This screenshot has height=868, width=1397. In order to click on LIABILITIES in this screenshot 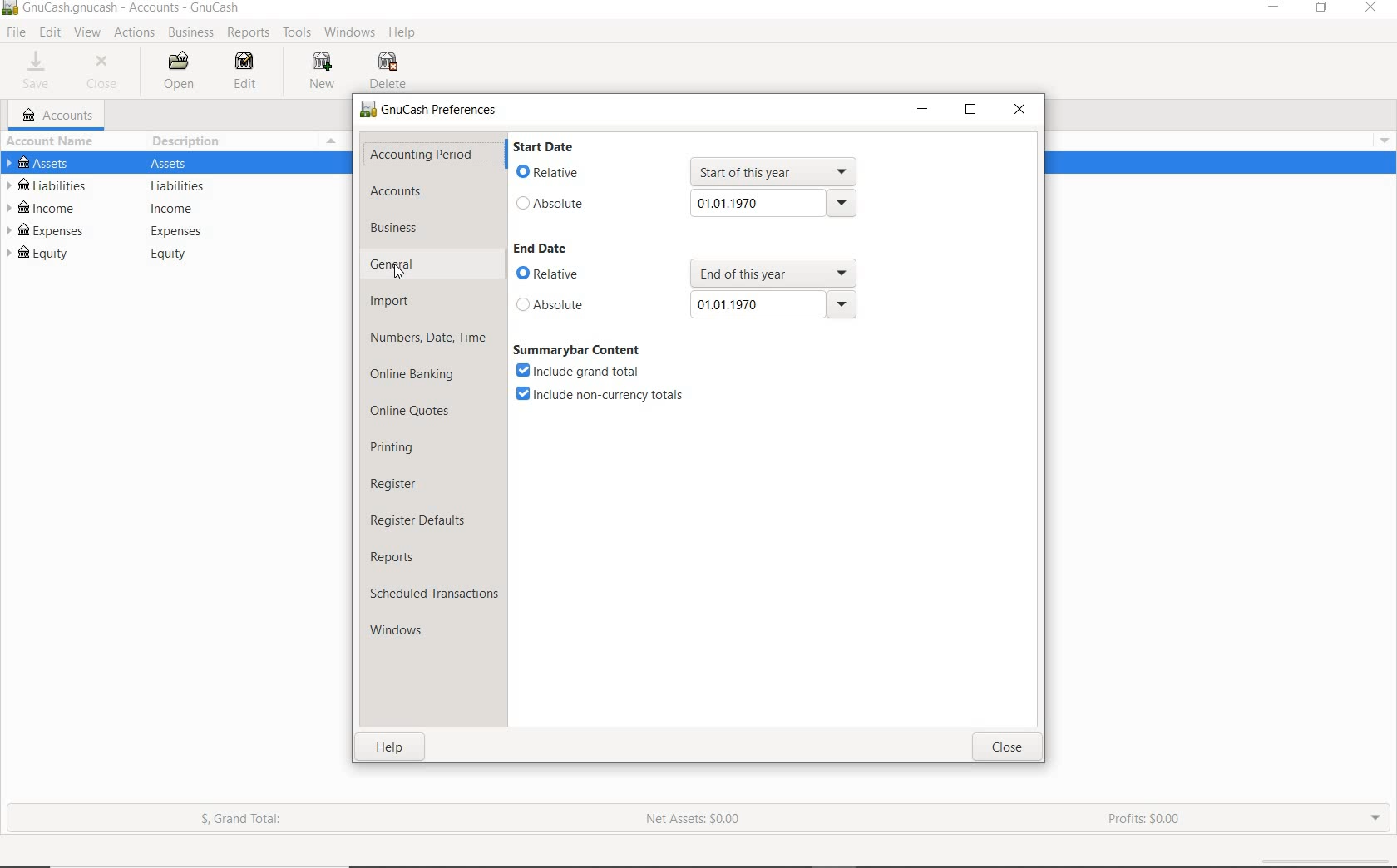, I will do `click(168, 185)`.